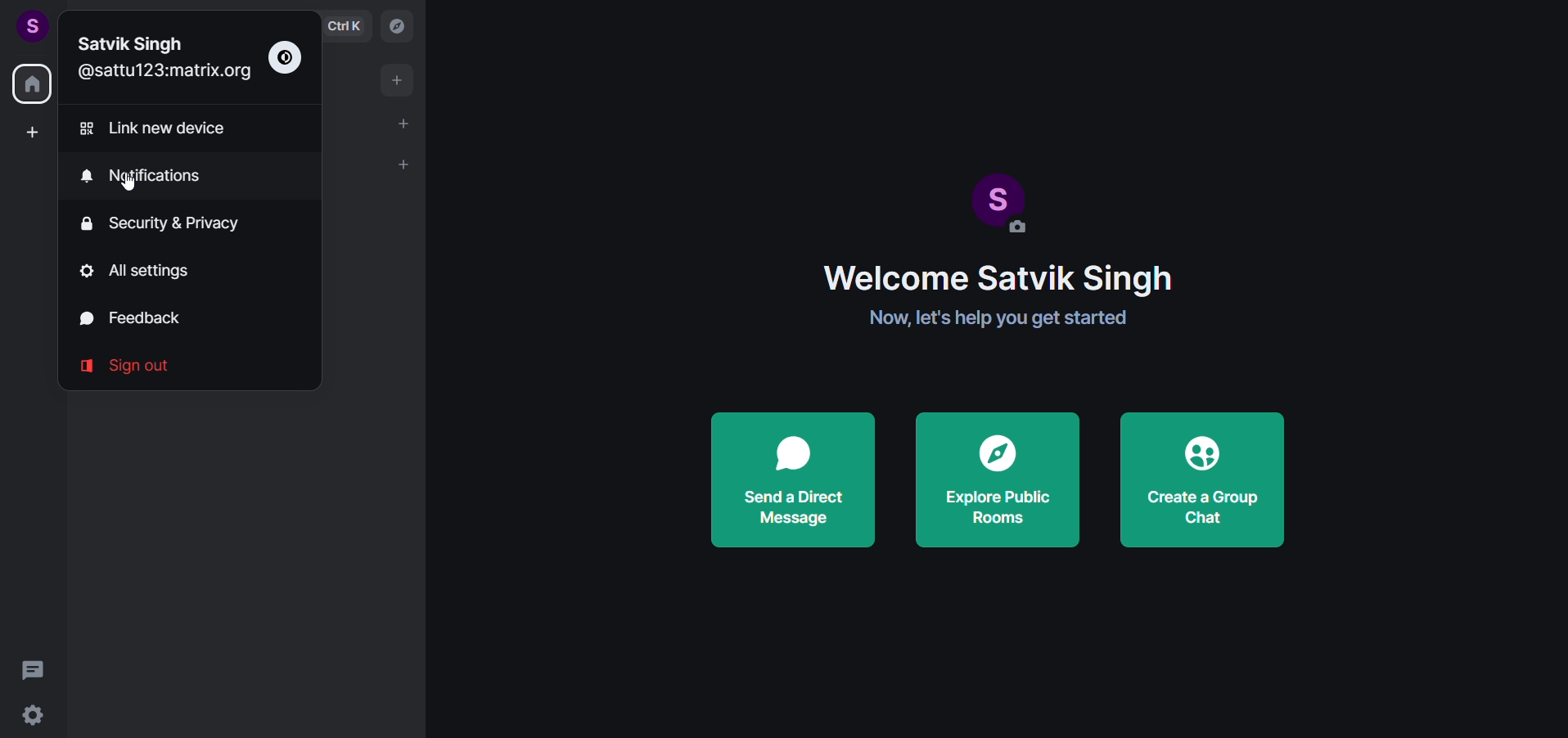  Describe the element at coordinates (1212, 479) in the screenshot. I see `create a group chat` at that location.